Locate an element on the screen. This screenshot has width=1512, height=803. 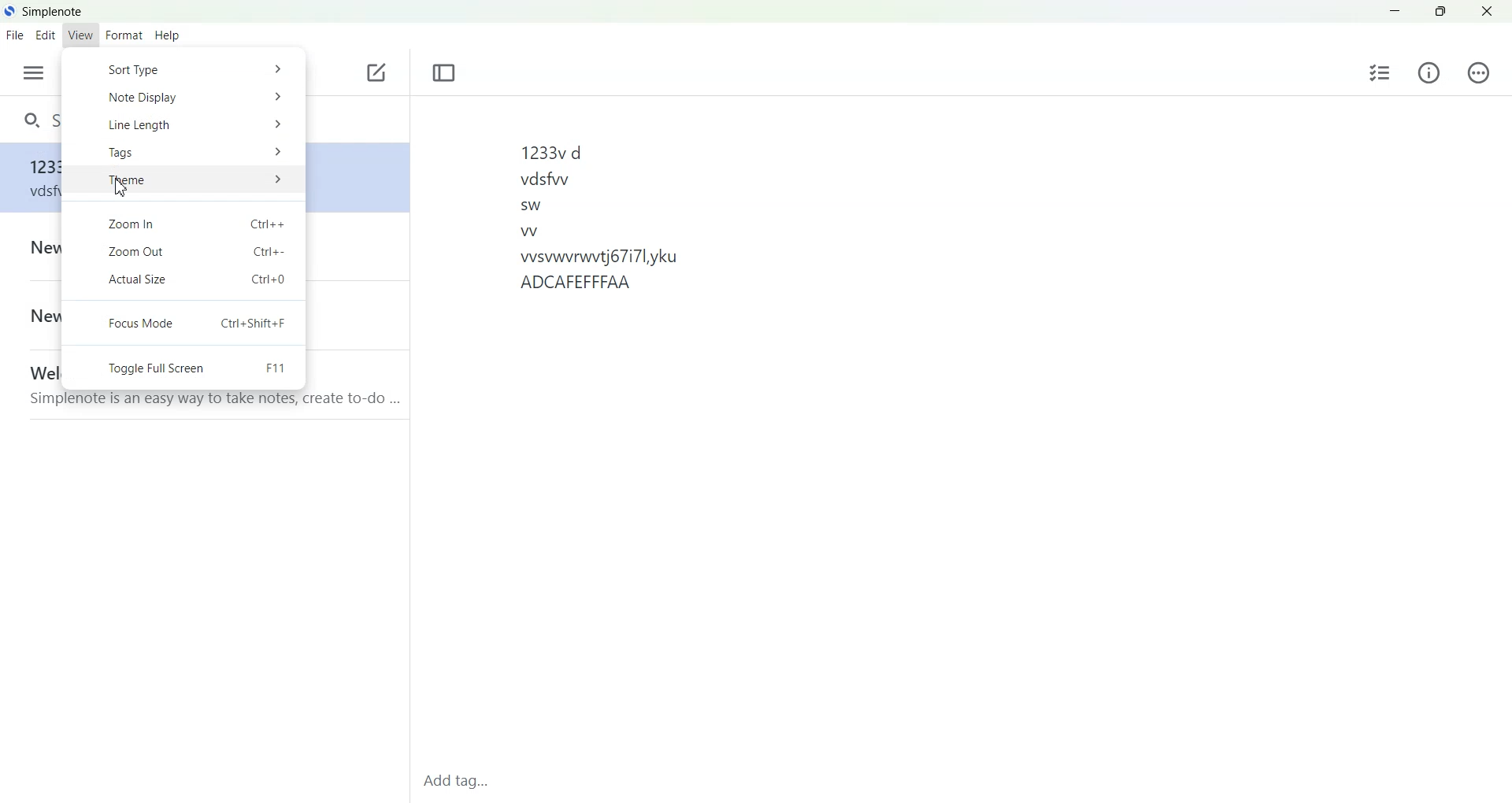
Help is located at coordinates (168, 36).